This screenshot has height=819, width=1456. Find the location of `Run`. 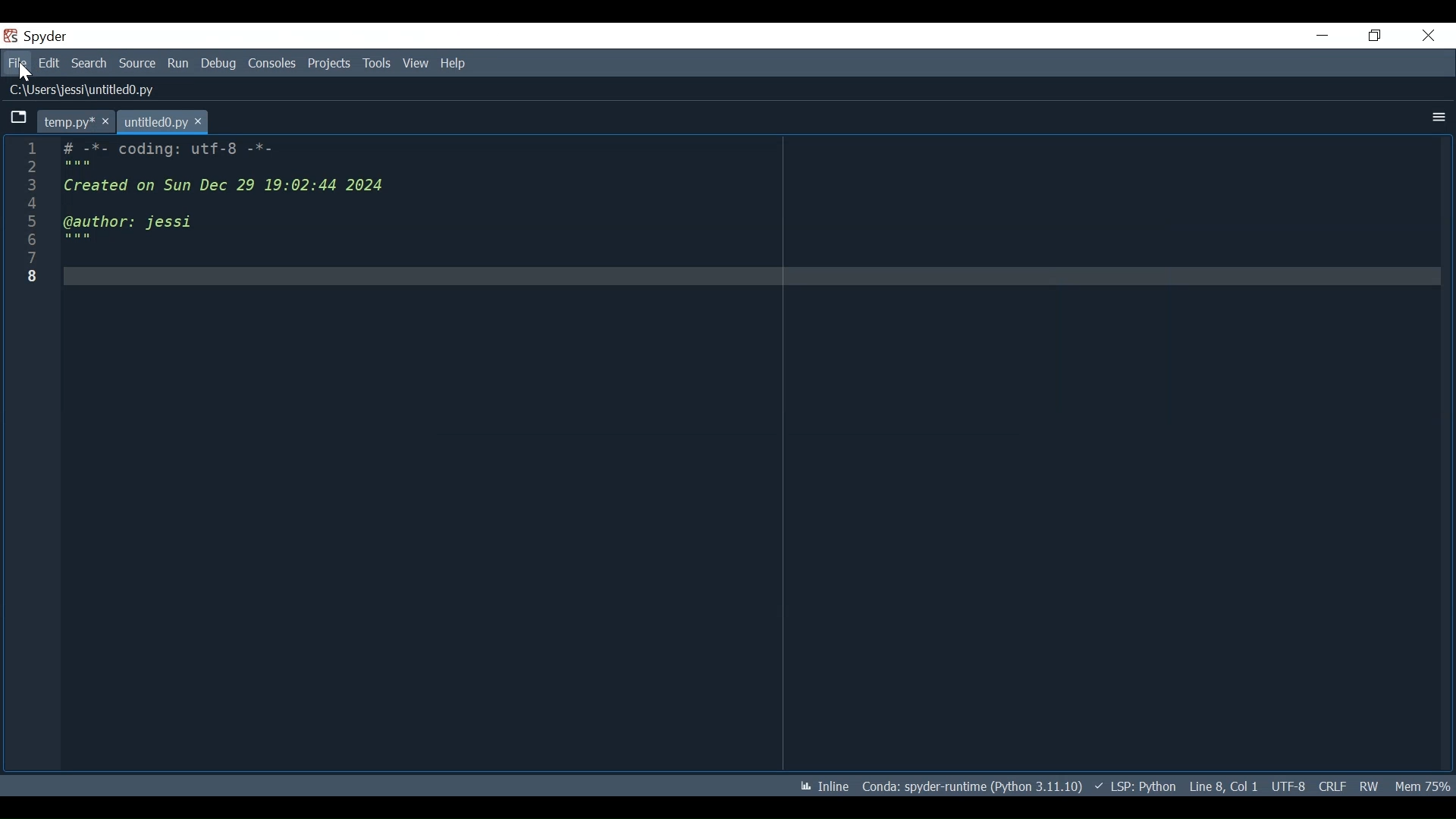

Run is located at coordinates (179, 64).